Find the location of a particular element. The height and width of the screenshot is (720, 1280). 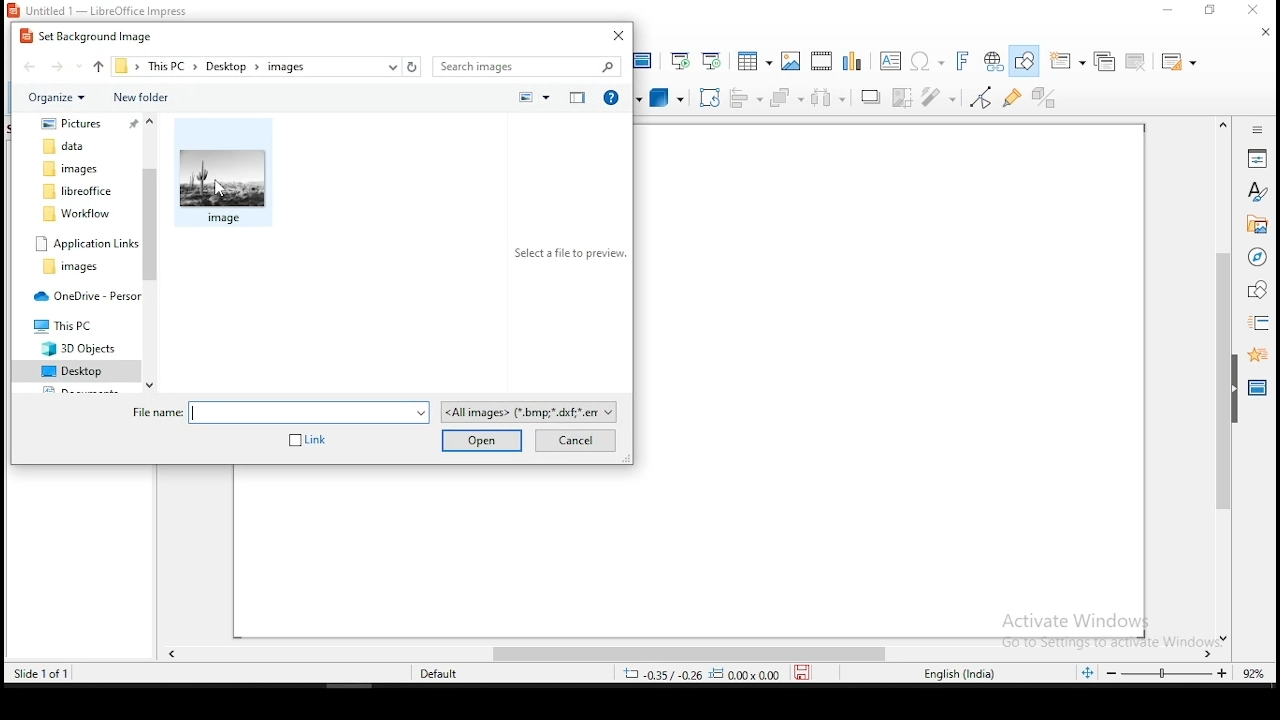

3D objects is located at coordinates (82, 348).